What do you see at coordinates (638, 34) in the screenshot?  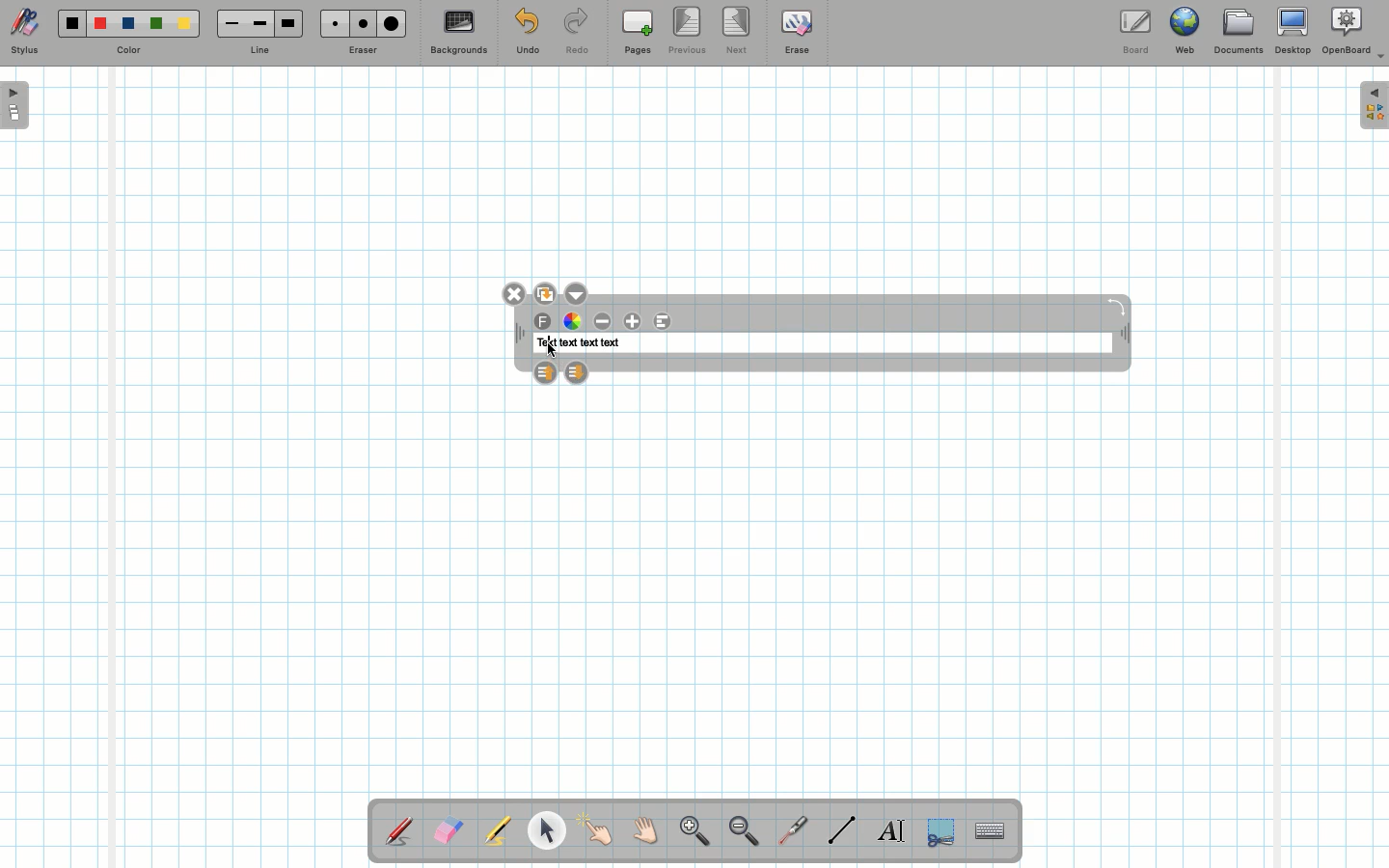 I see `Pages` at bounding box center [638, 34].